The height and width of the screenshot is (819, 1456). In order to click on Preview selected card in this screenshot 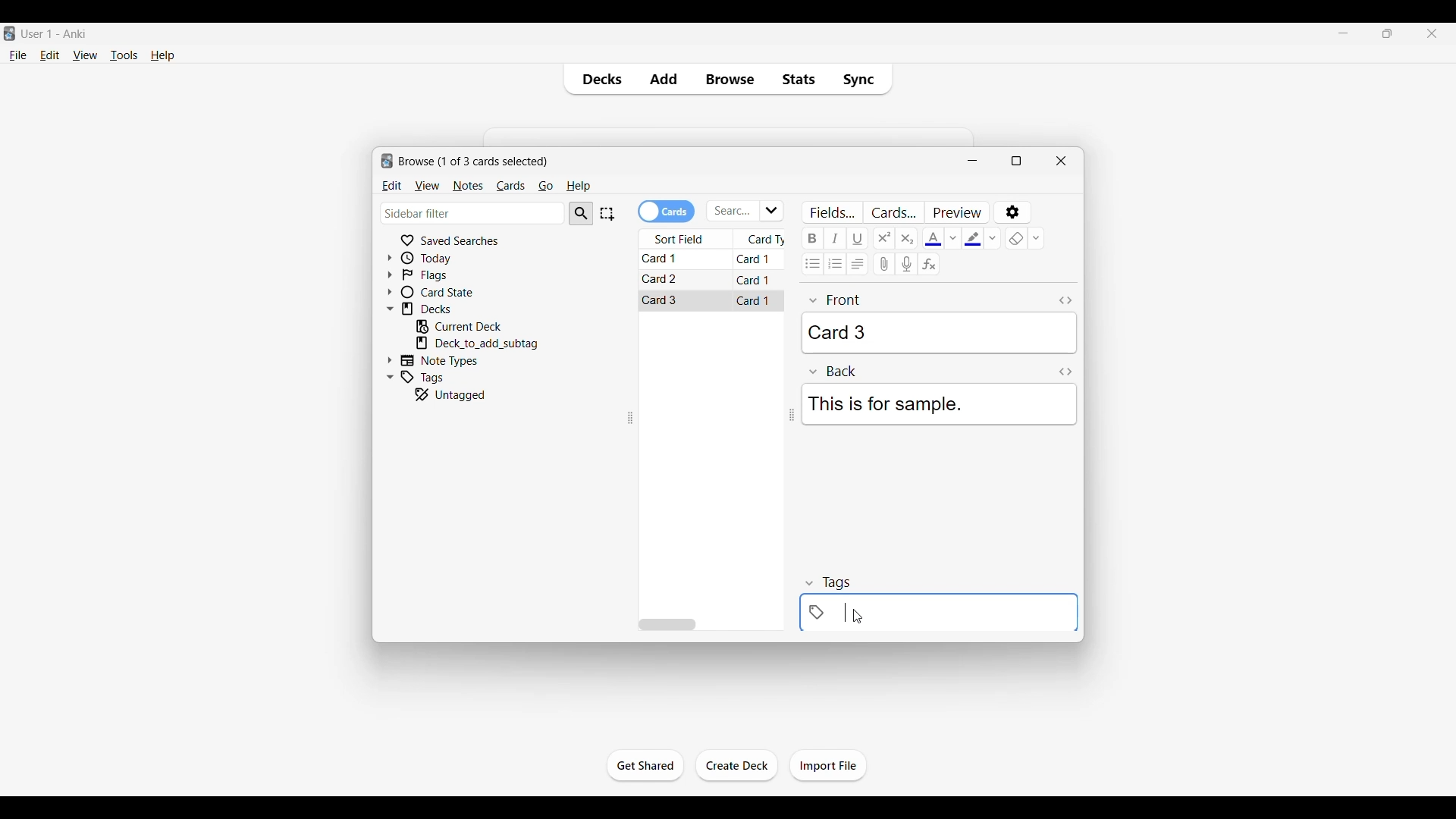, I will do `click(956, 212)`.